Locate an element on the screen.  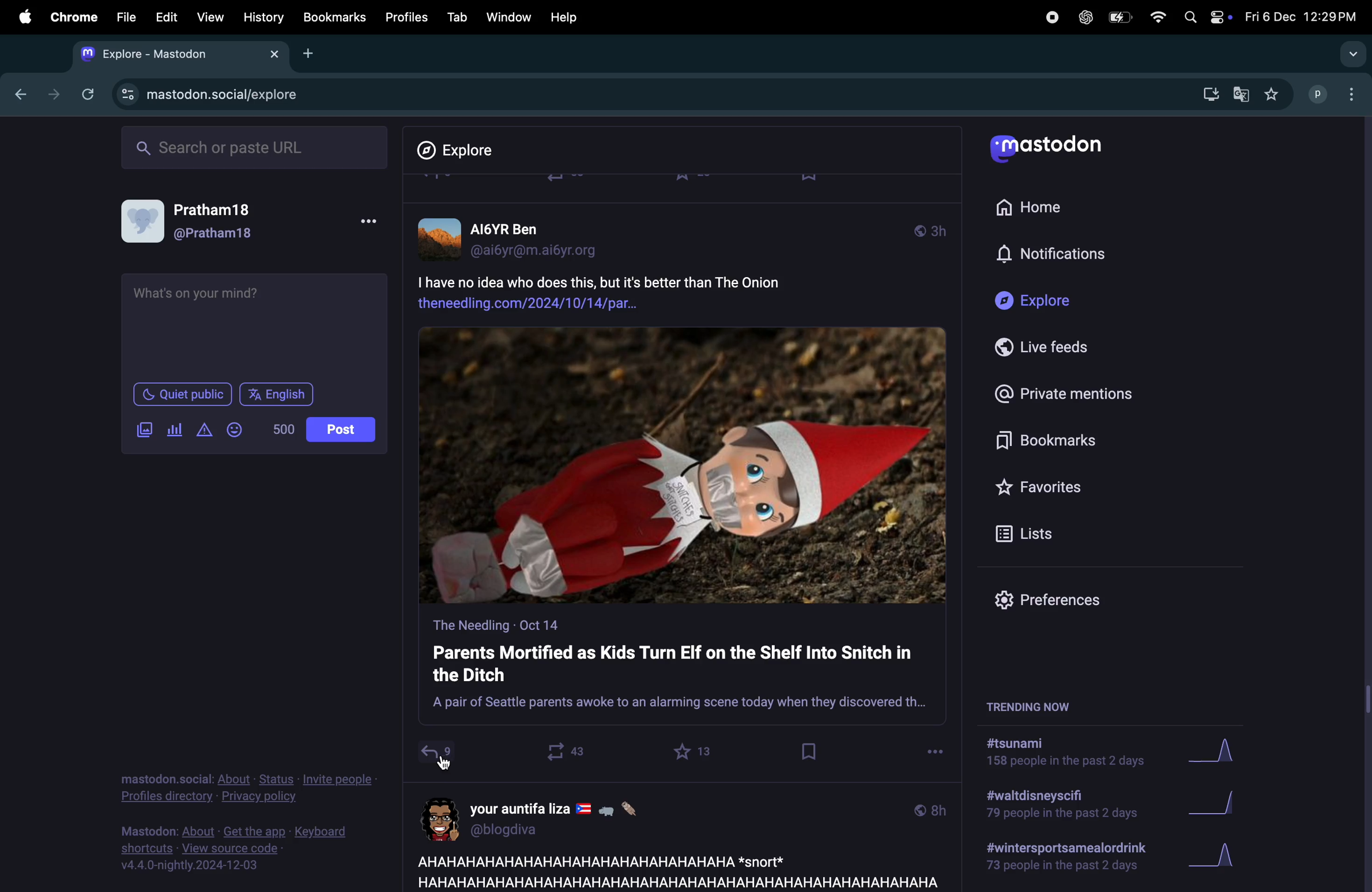
Explore is located at coordinates (464, 150).